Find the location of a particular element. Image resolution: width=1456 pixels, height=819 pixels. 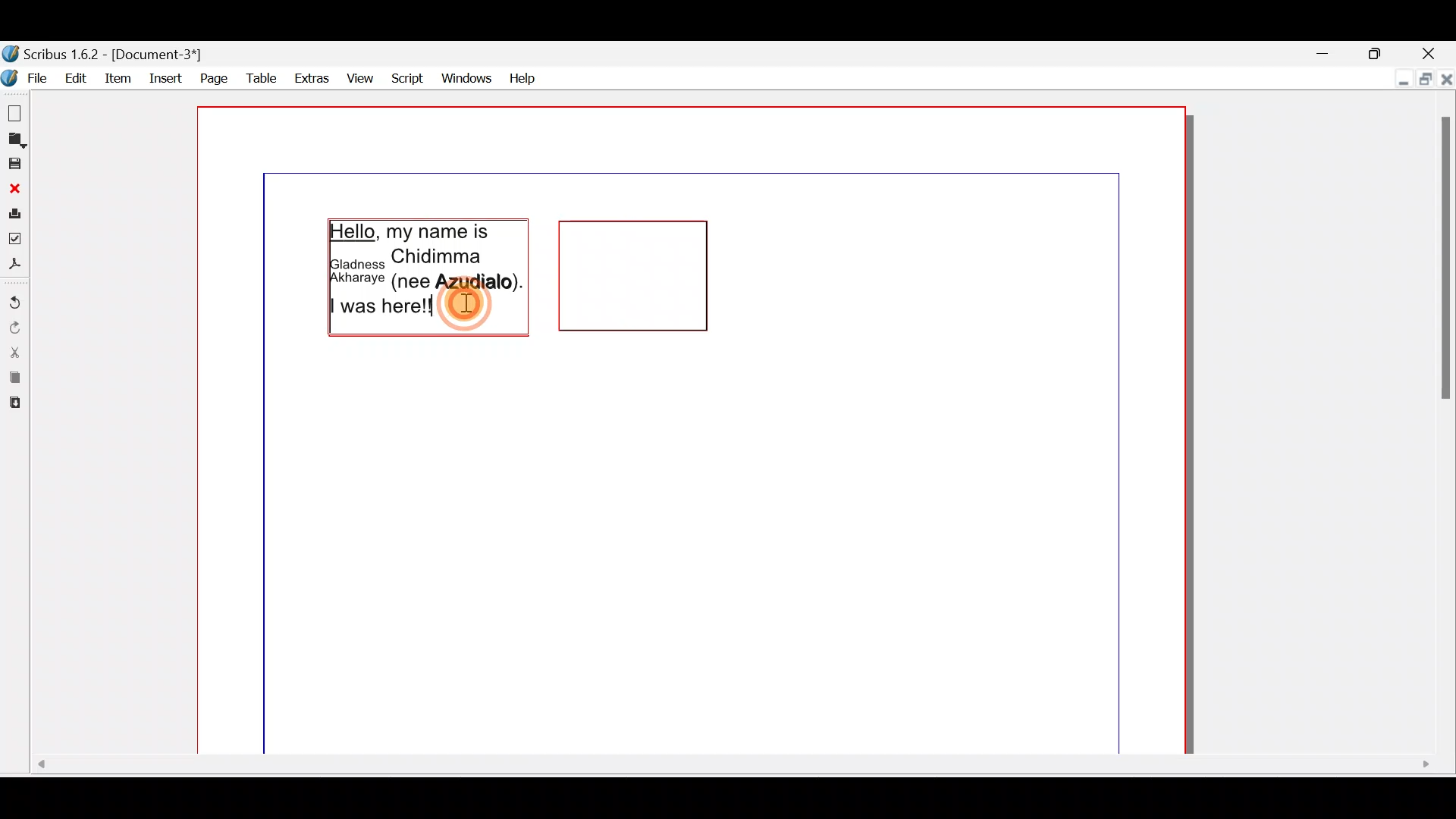

Close is located at coordinates (14, 188).